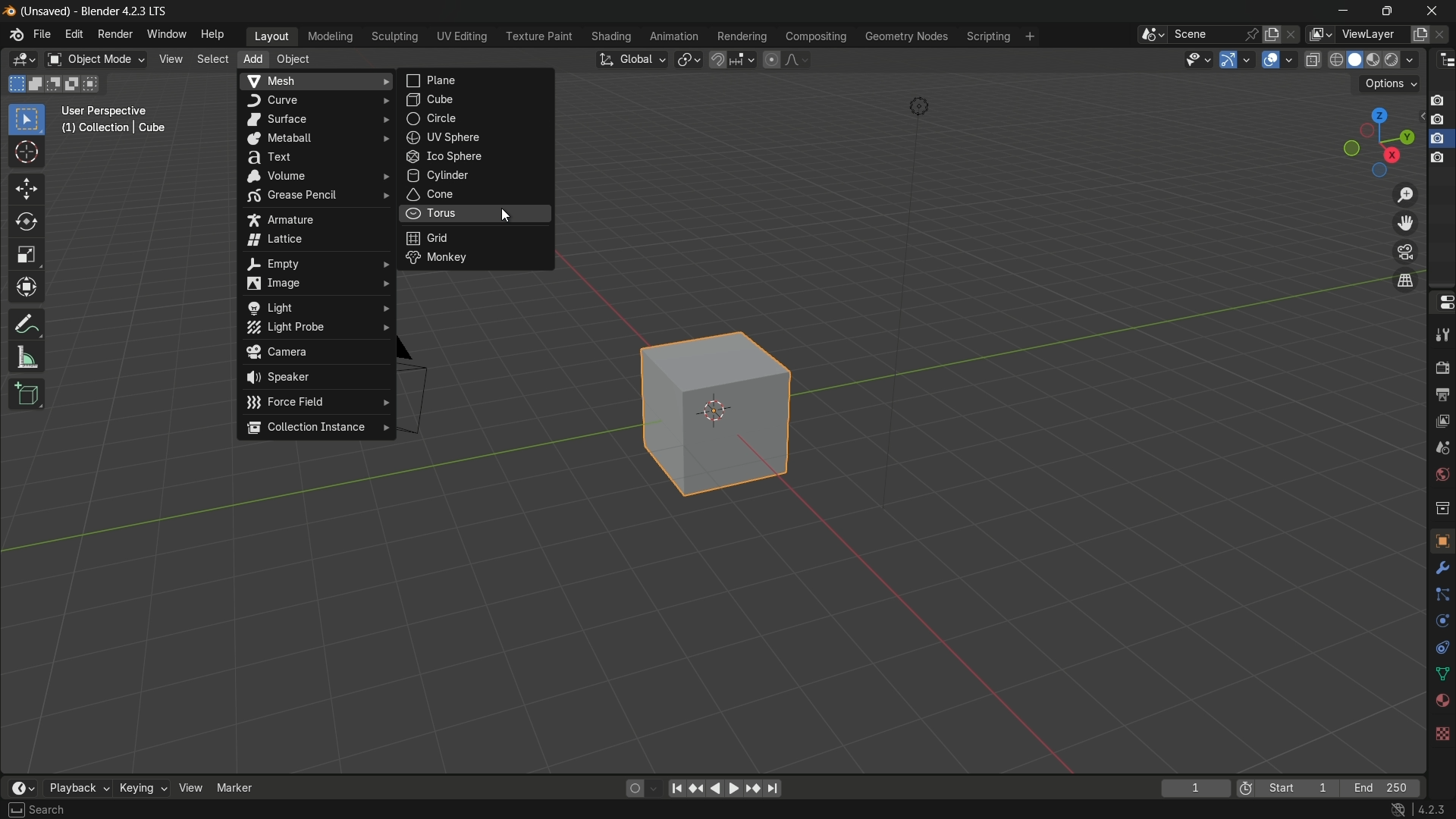  Describe the element at coordinates (688, 58) in the screenshot. I see `transform pivot table` at that location.